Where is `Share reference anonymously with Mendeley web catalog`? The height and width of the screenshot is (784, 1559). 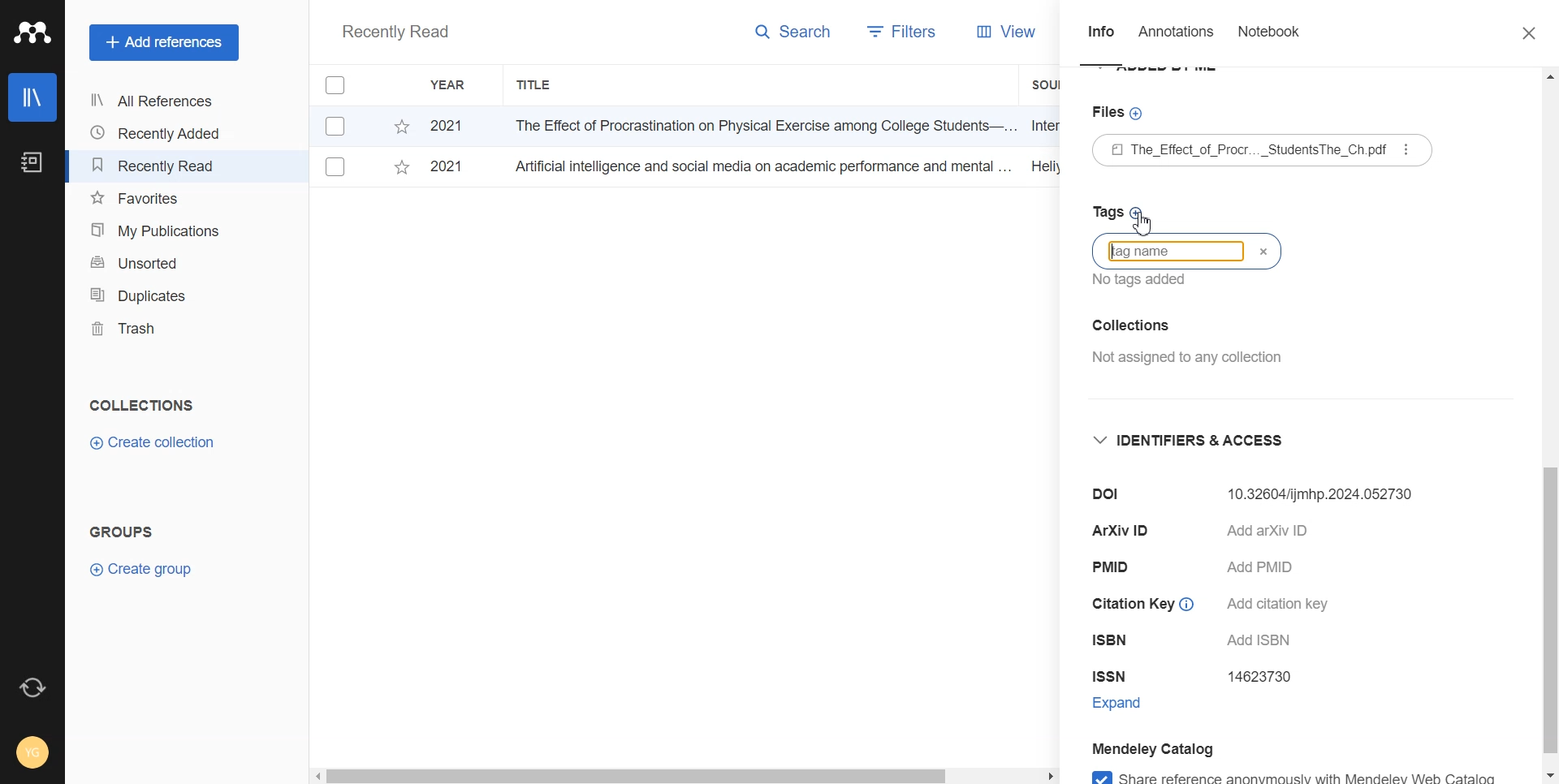
Share reference anonymously with Mendeley web catalog is located at coordinates (1293, 773).